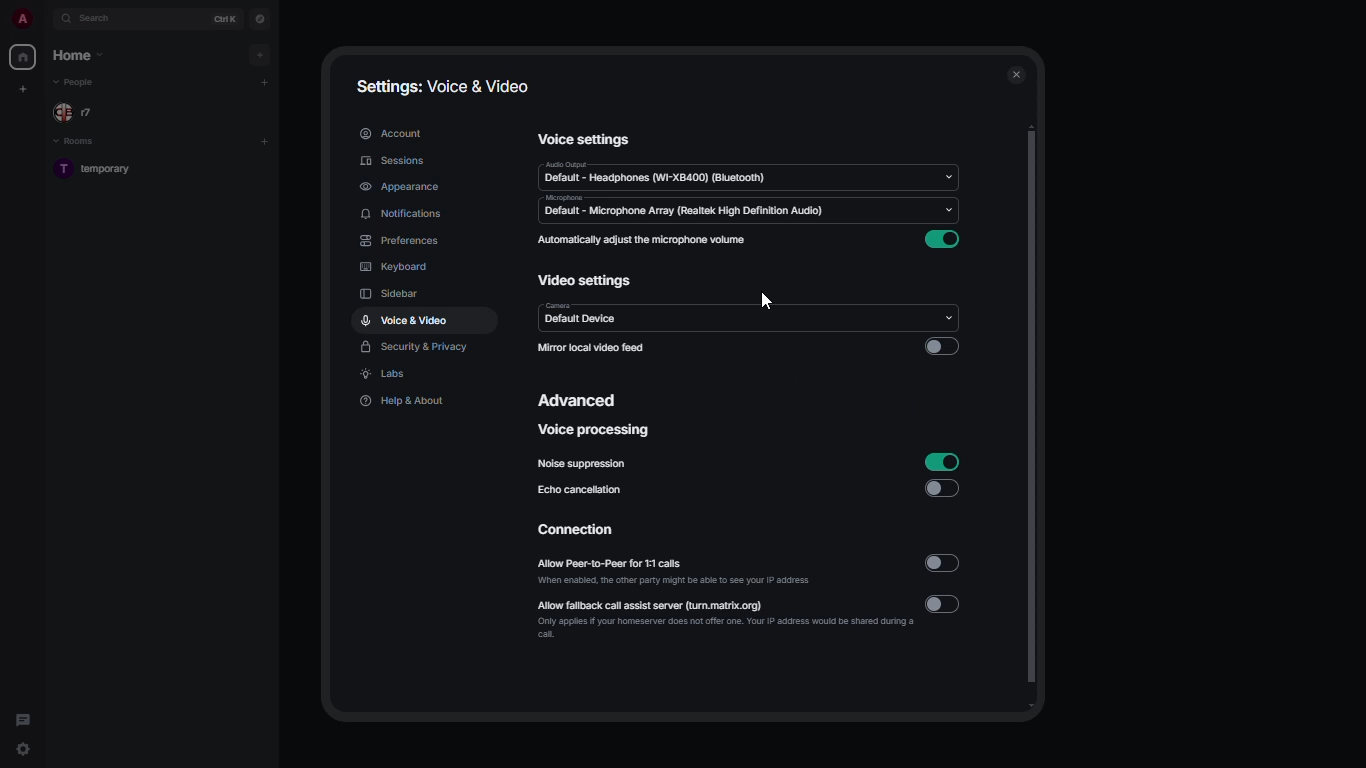  I want to click on allow peer-to-peer for 1:1 calls, so click(673, 569).